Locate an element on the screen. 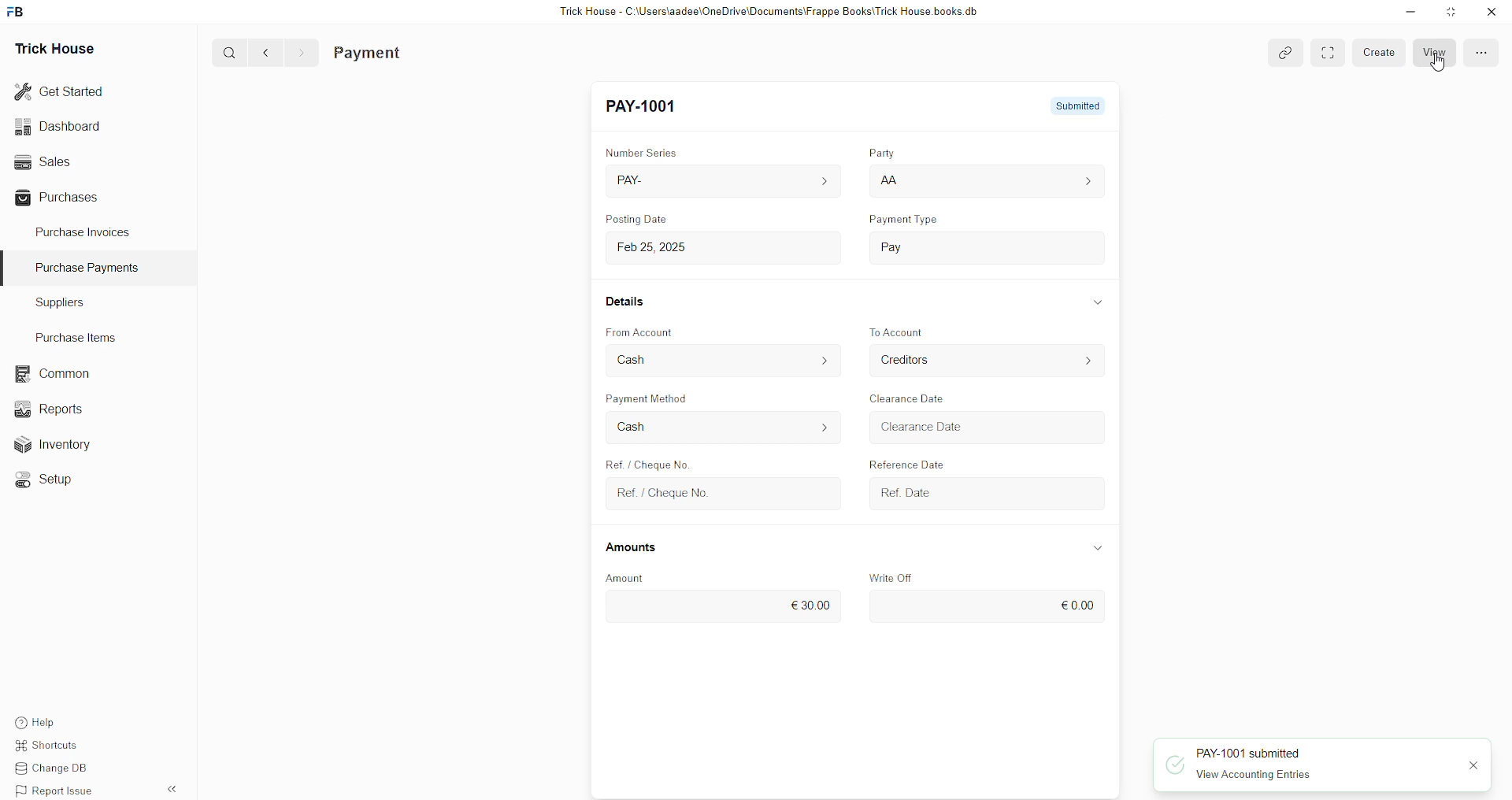 Image resolution: width=1512 pixels, height=800 pixels. Trick House - C:\Users\aadee\OneDrive\Documents\Frappe Books\Trick House books.db is located at coordinates (772, 12).